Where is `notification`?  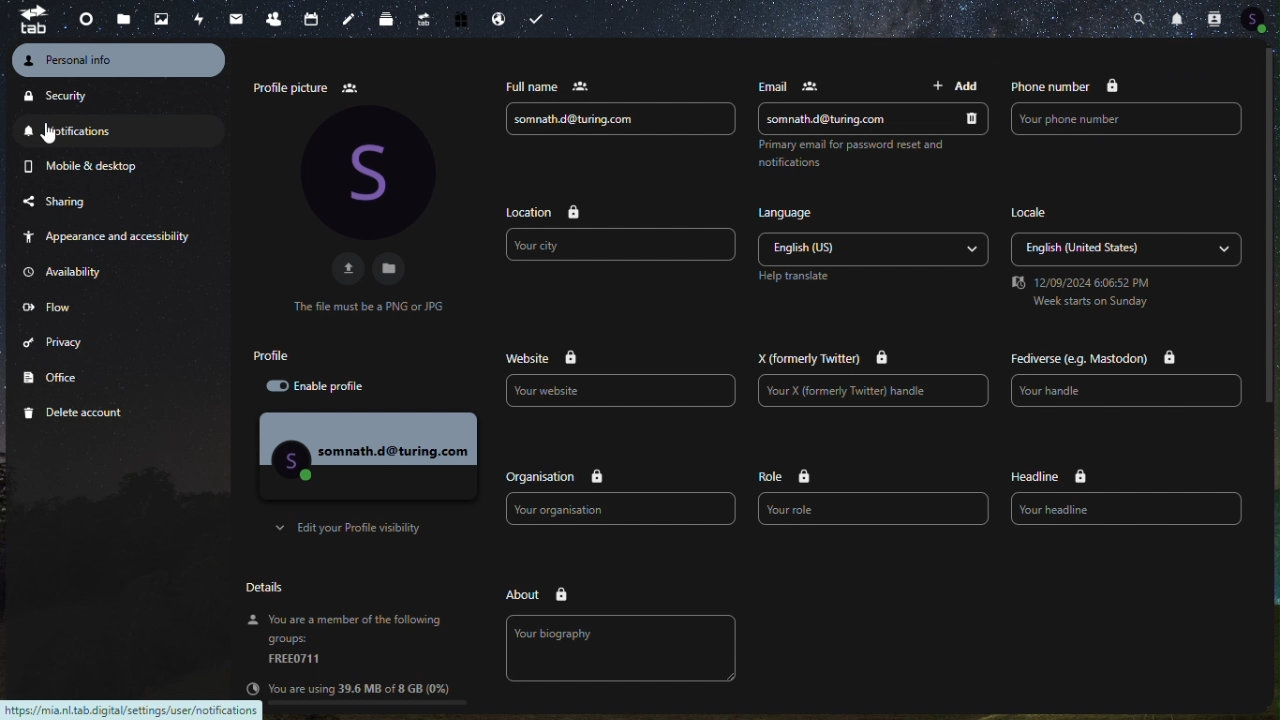 notification is located at coordinates (1178, 18).